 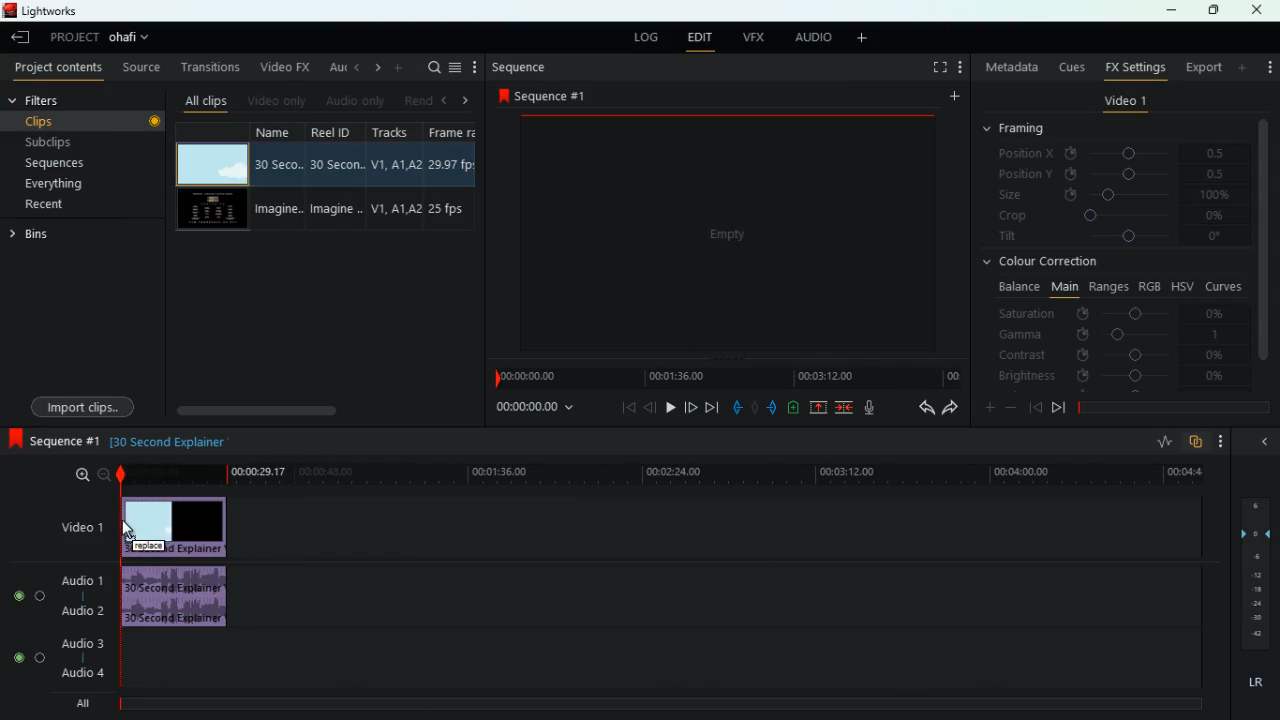 I want to click on rgb, so click(x=1150, y=285).